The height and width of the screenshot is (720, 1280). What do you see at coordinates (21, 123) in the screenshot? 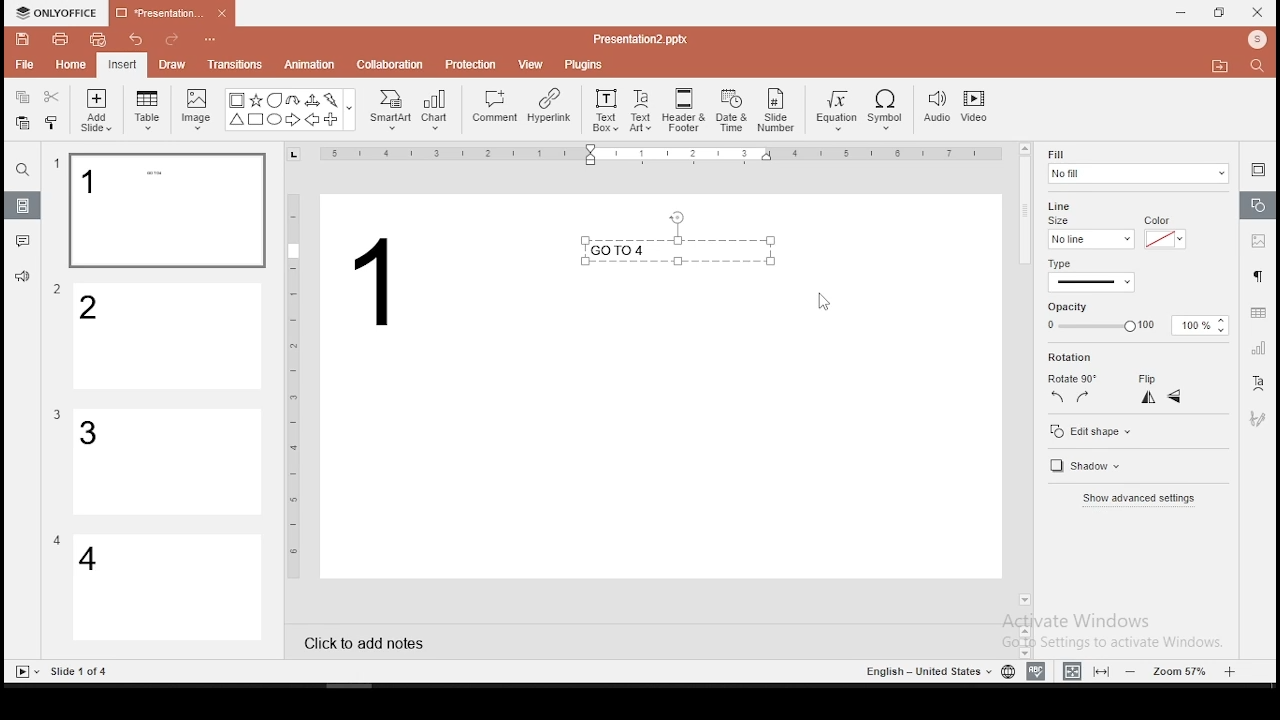
I see `paste` at bounding box center [21, 123].